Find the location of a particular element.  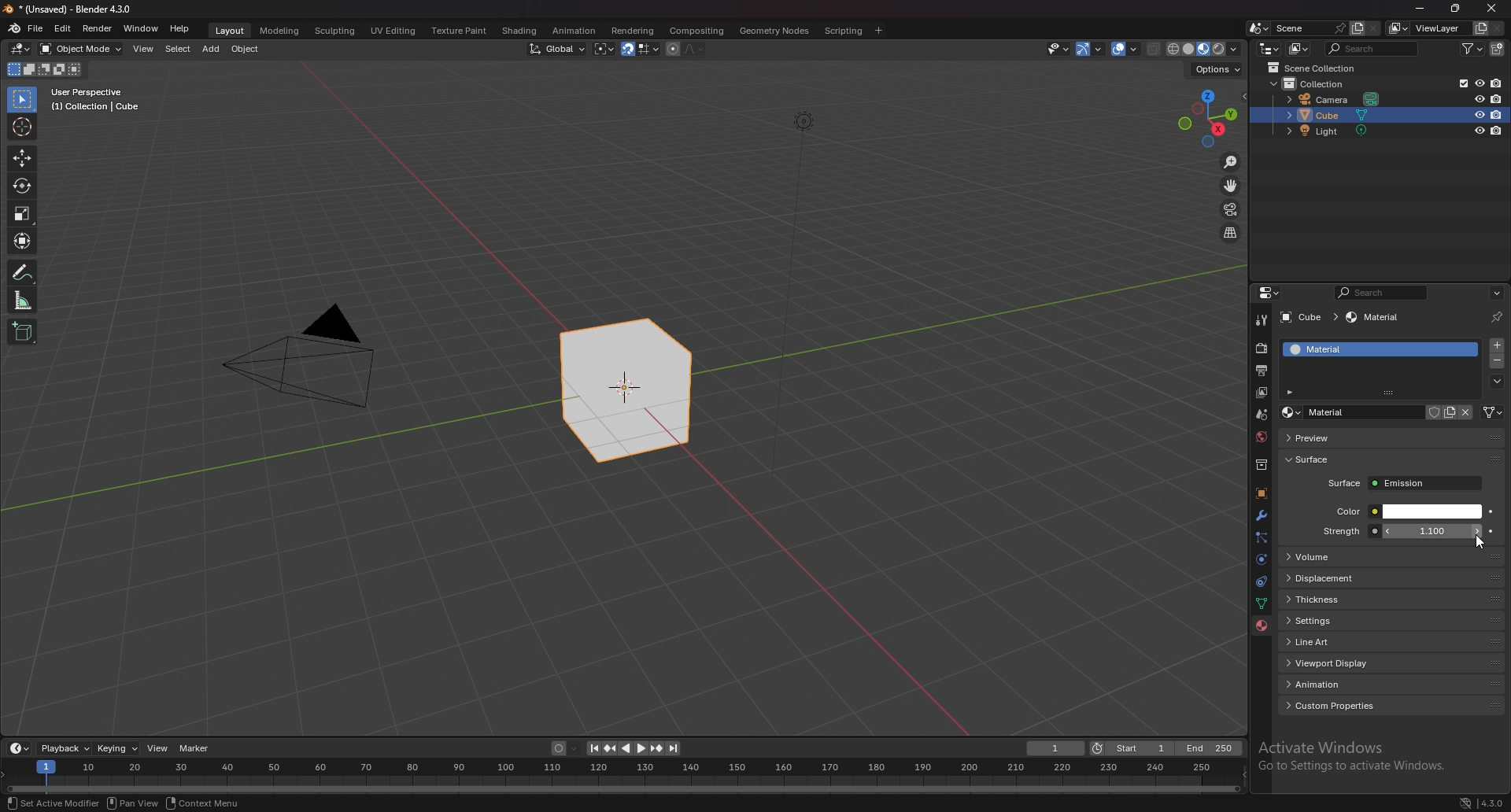

disable in renders is located at coordinates (1497, 131).